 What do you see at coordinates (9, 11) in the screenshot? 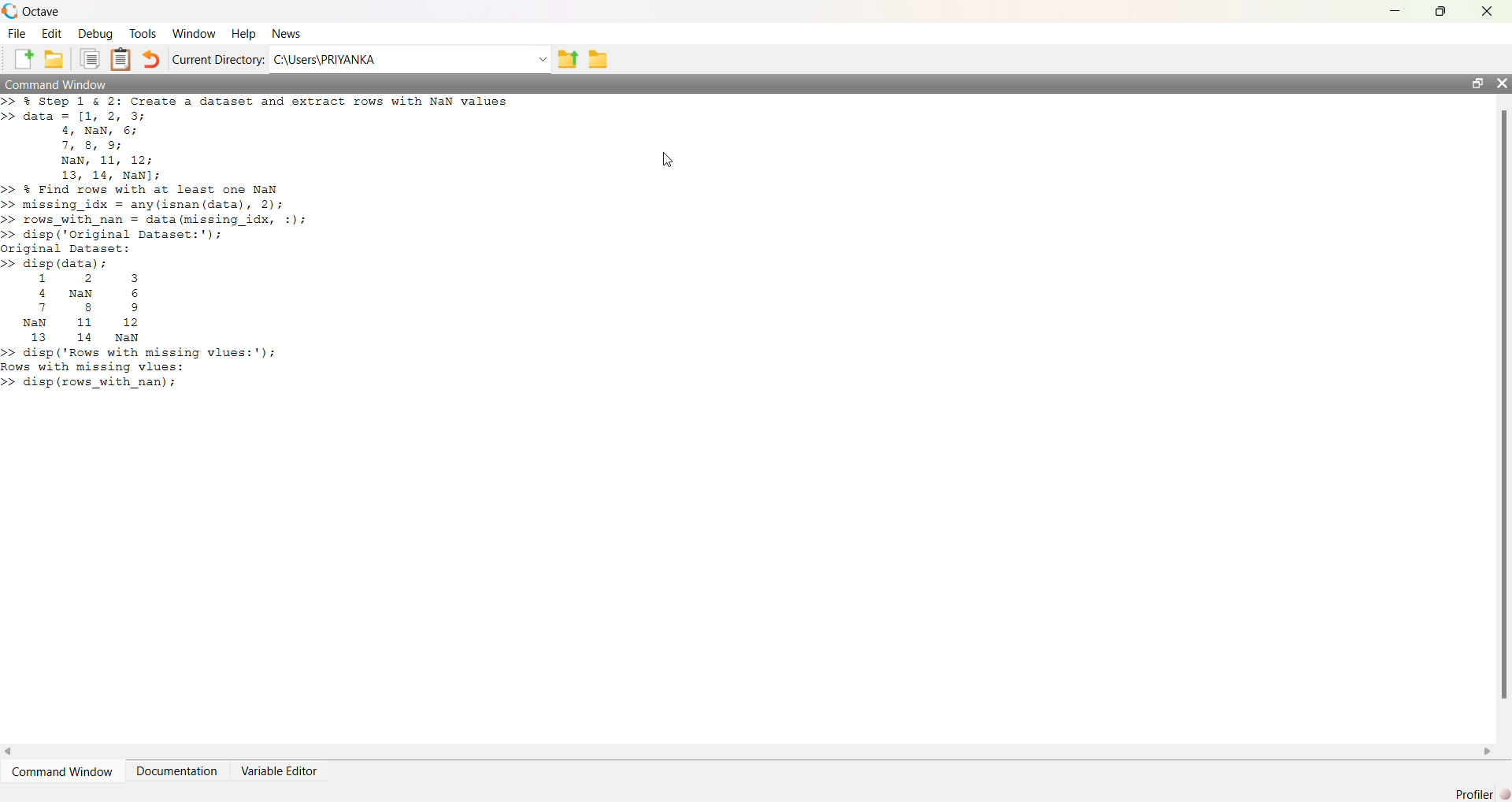
I see `logo` at bounding box center [9, 11].